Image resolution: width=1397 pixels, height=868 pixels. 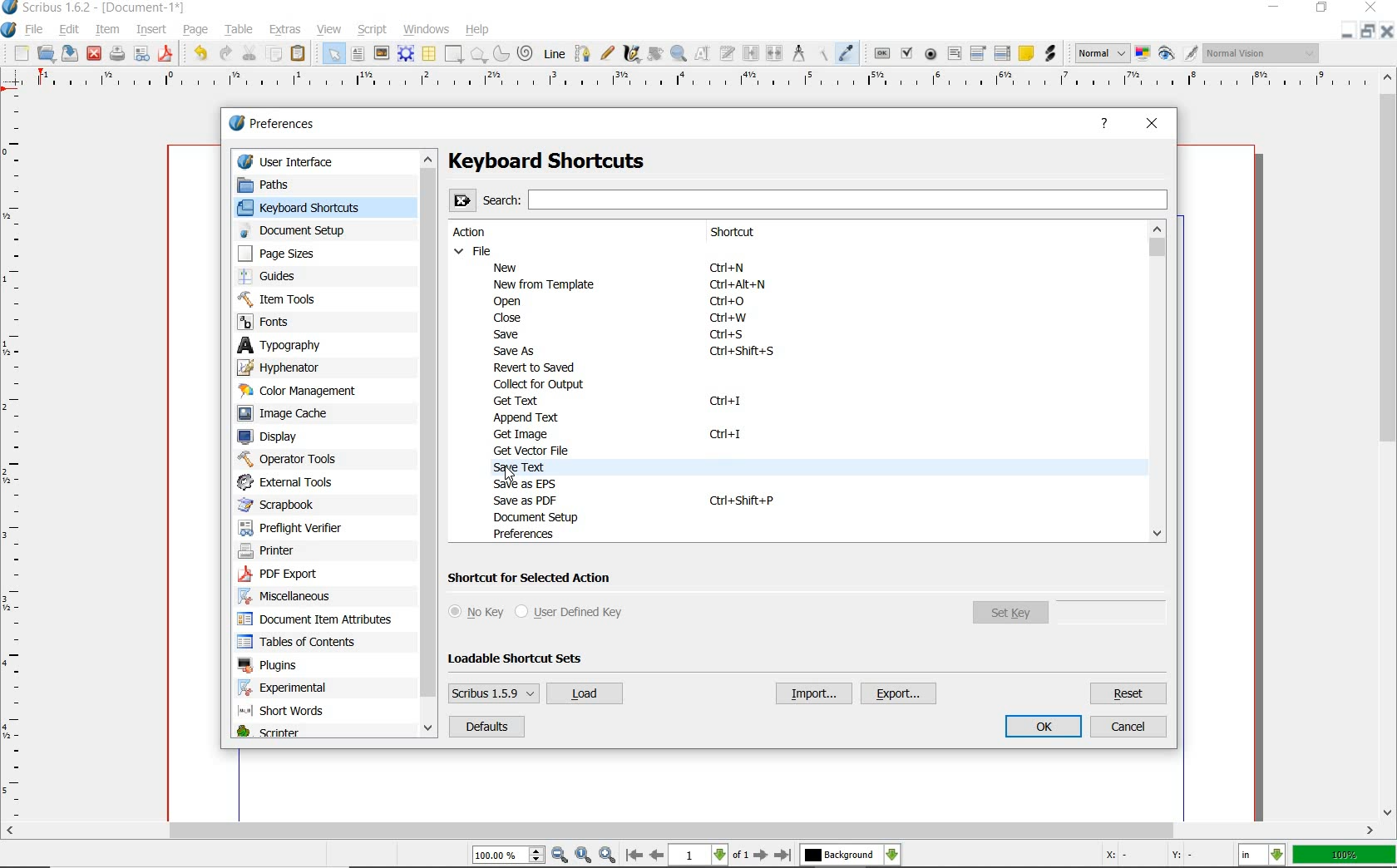 I want to click on system logo, so click(x=9, y=31).